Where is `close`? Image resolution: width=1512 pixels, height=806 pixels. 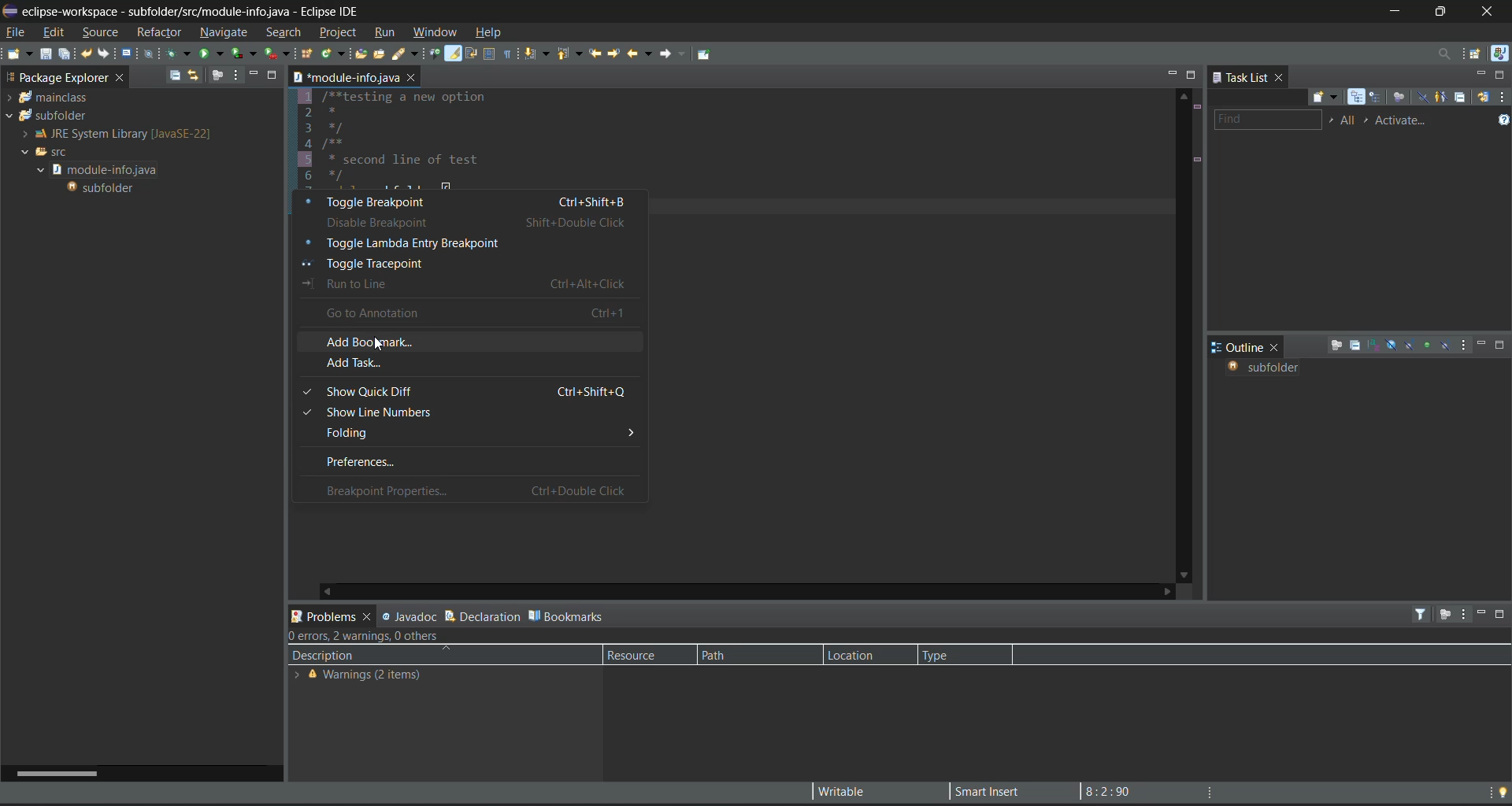 close is located at coordinates (1278, 347).